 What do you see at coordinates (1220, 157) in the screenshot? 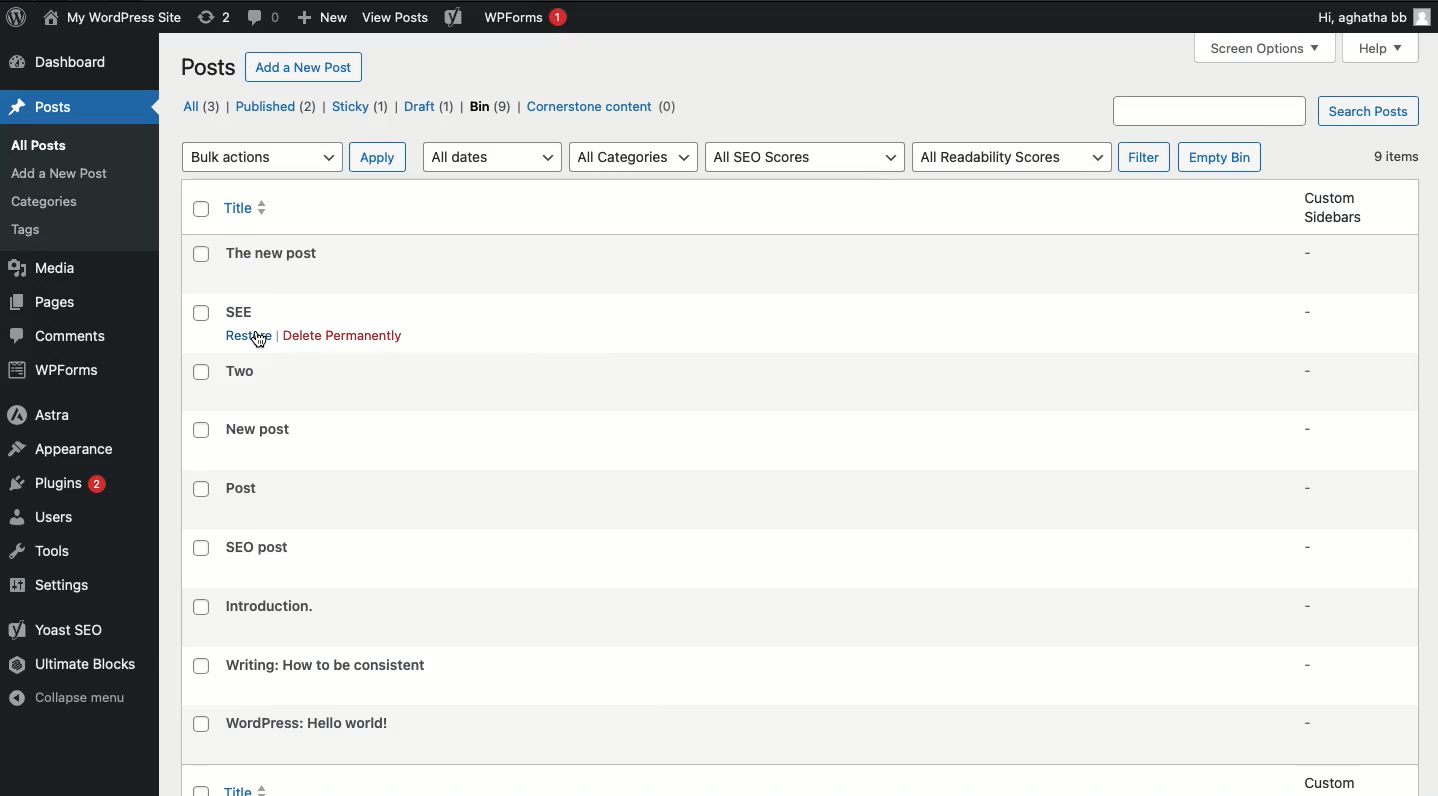
I see `empty bin` at bounding box center [1220, 157].